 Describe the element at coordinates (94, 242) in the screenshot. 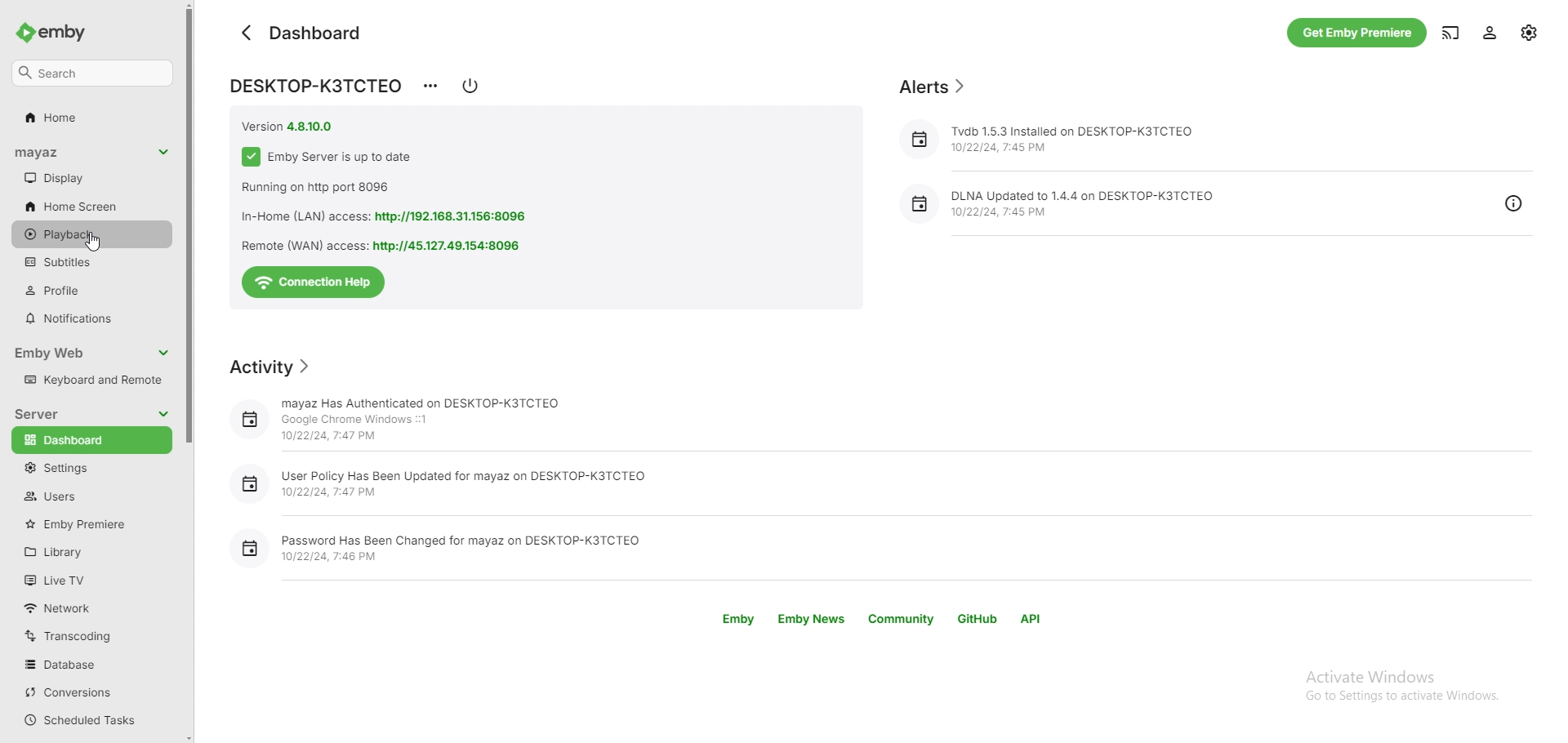

I see `cursor` at that location.